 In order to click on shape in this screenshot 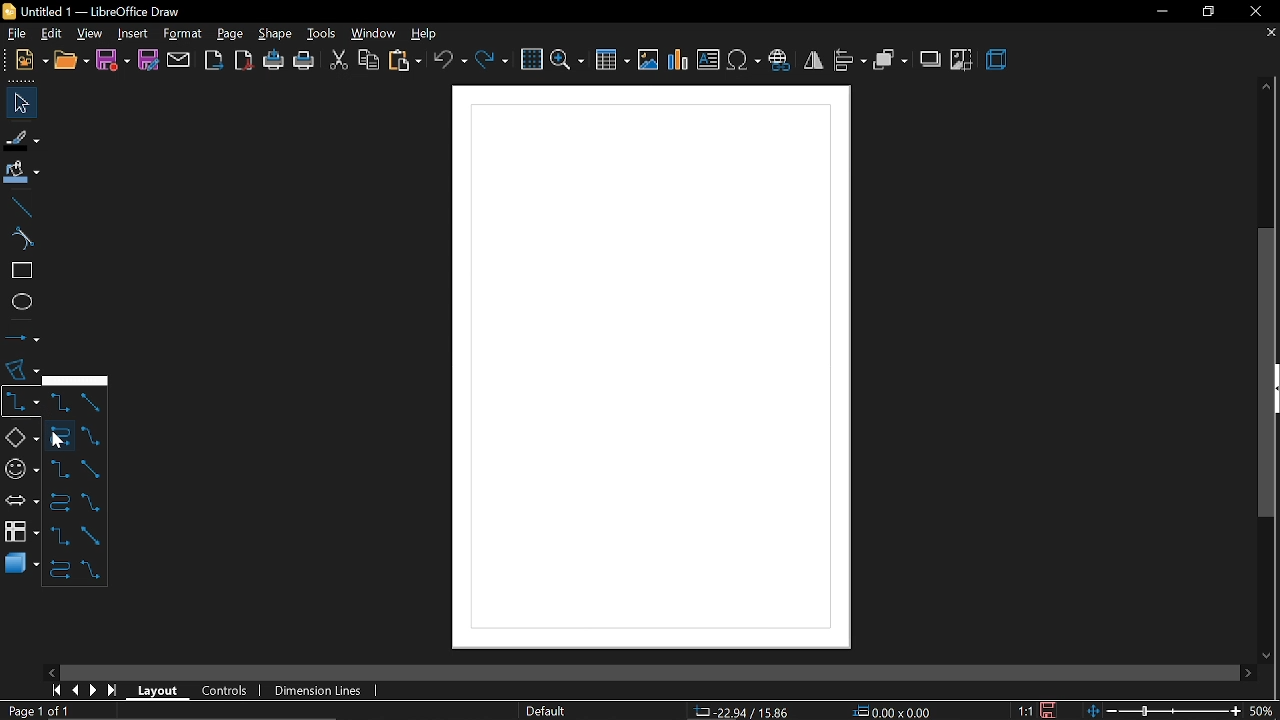, I will do `click(272, 33)`.